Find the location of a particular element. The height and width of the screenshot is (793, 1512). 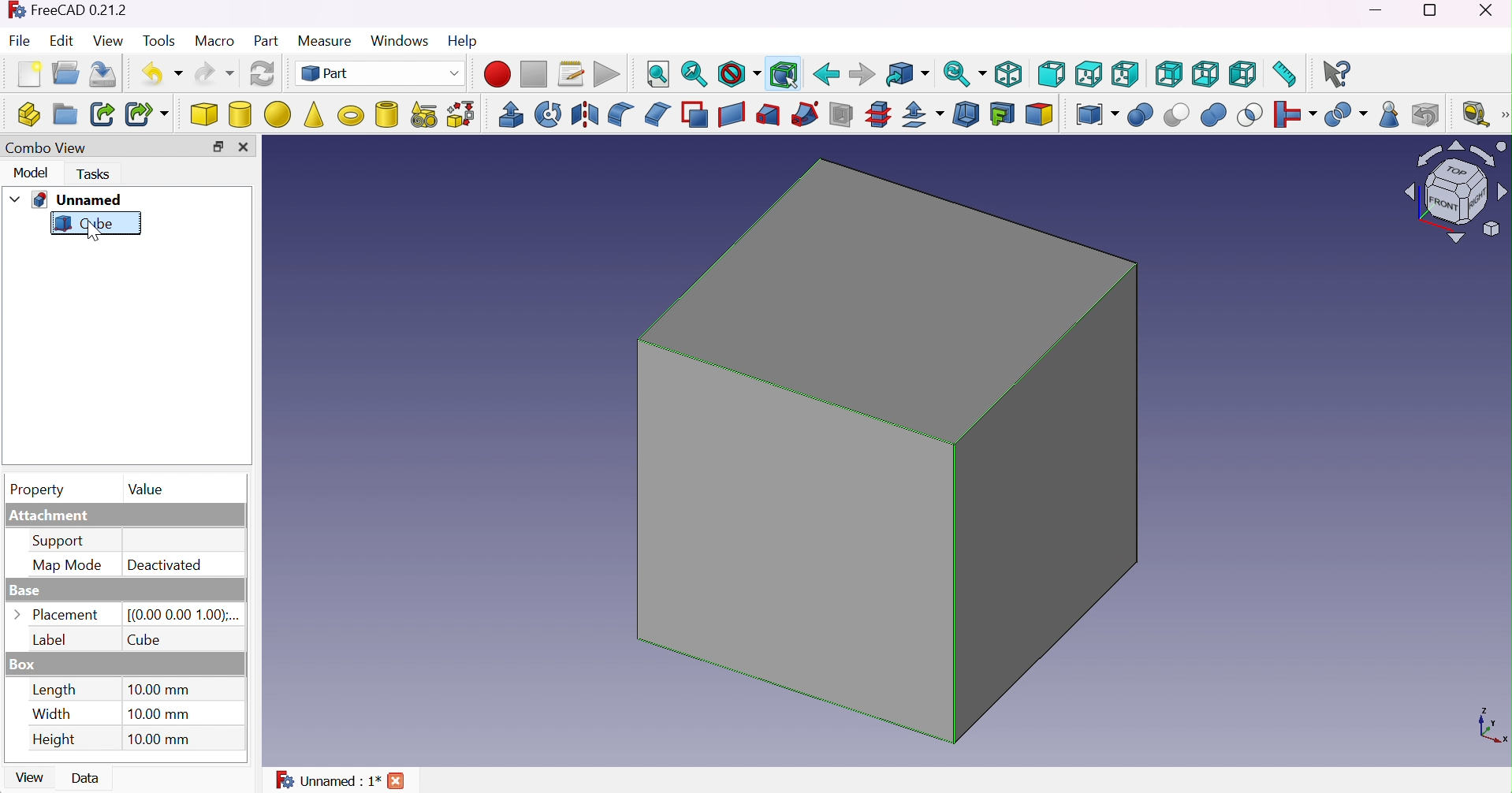

Box is located at coordinates (22, 665).